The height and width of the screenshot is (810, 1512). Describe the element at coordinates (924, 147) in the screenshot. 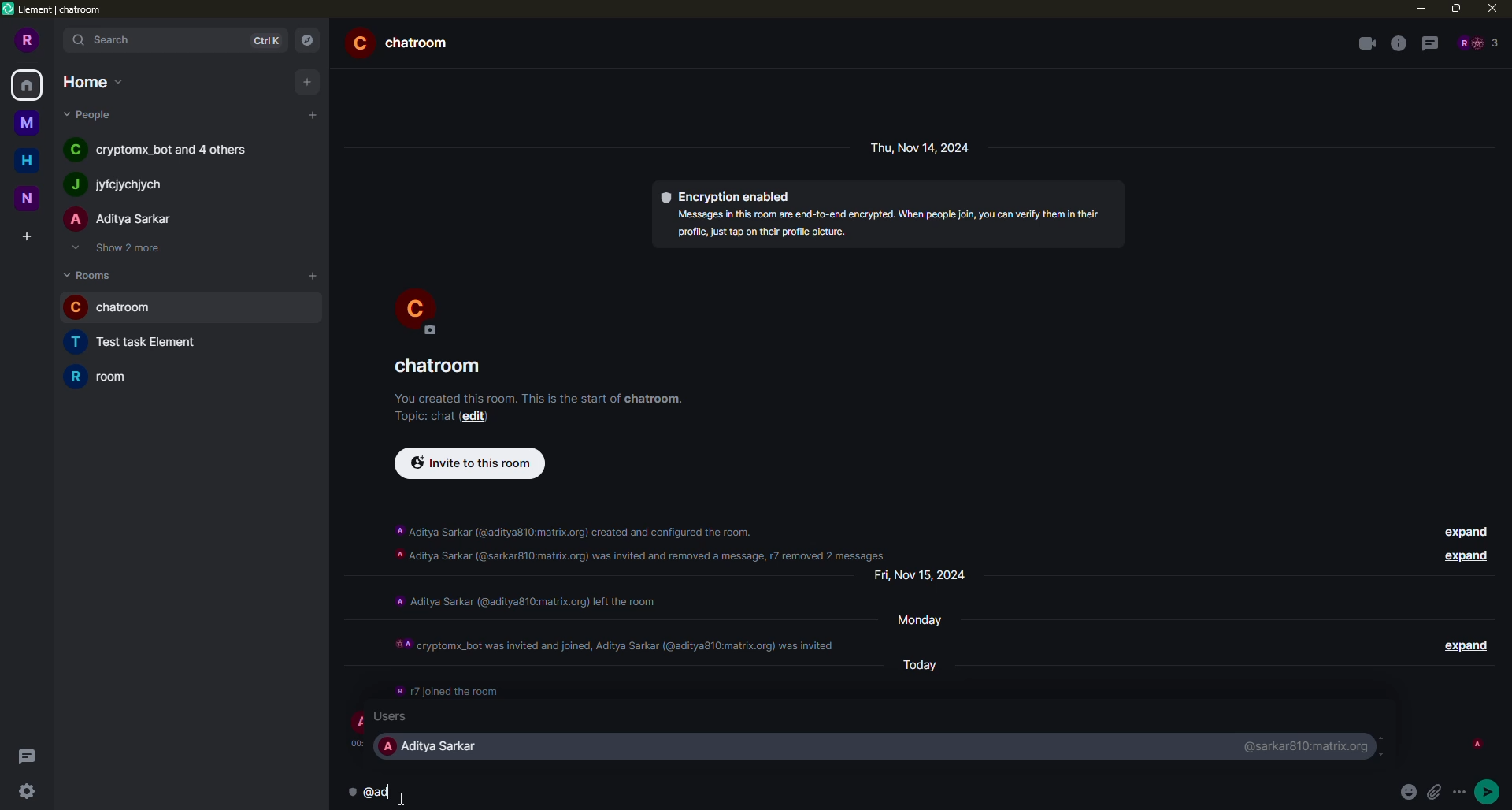

I see `day` at that location.